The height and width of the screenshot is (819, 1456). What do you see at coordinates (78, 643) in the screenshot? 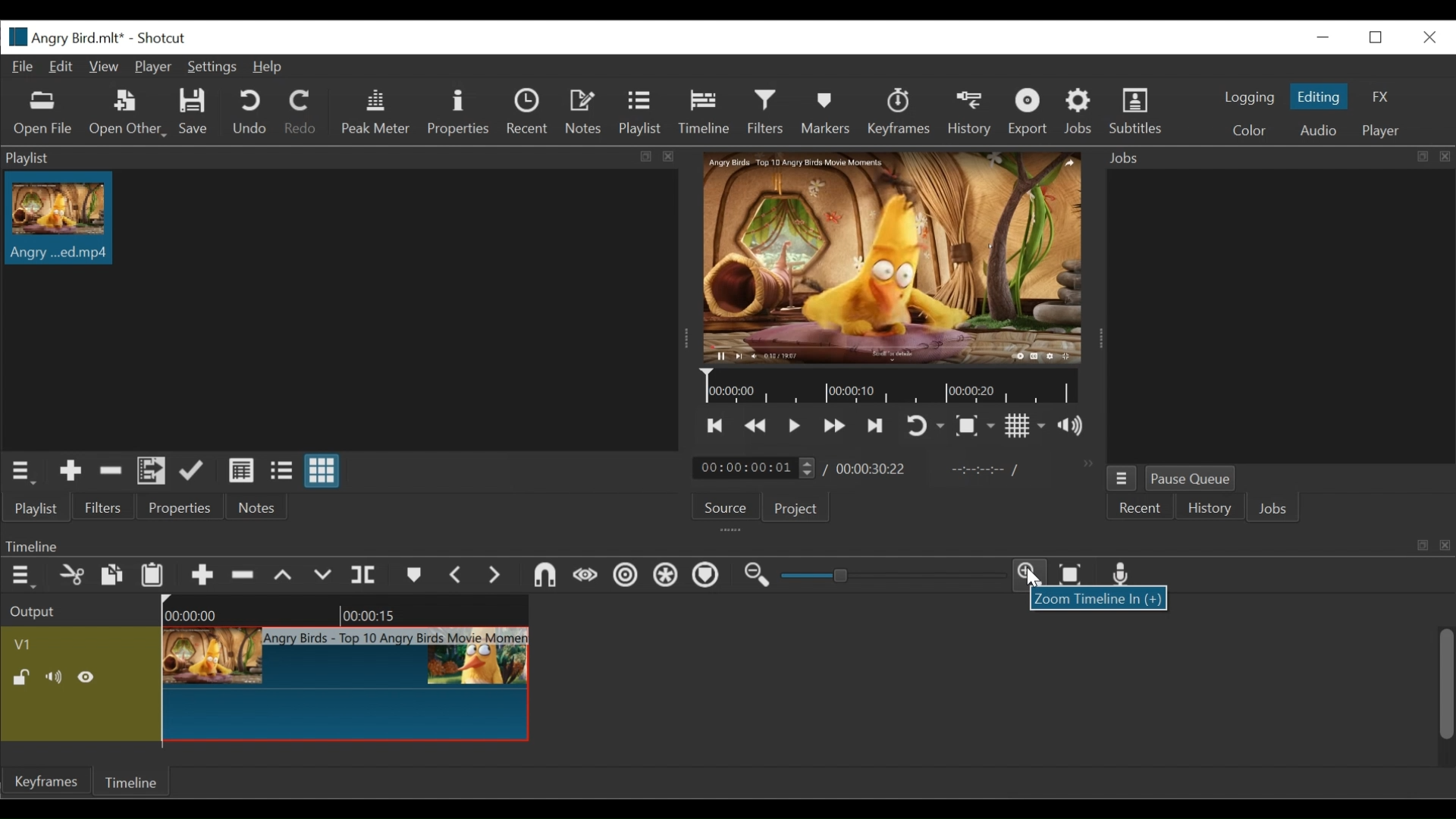
I see `Video track name` at bounding box center [78, 643].